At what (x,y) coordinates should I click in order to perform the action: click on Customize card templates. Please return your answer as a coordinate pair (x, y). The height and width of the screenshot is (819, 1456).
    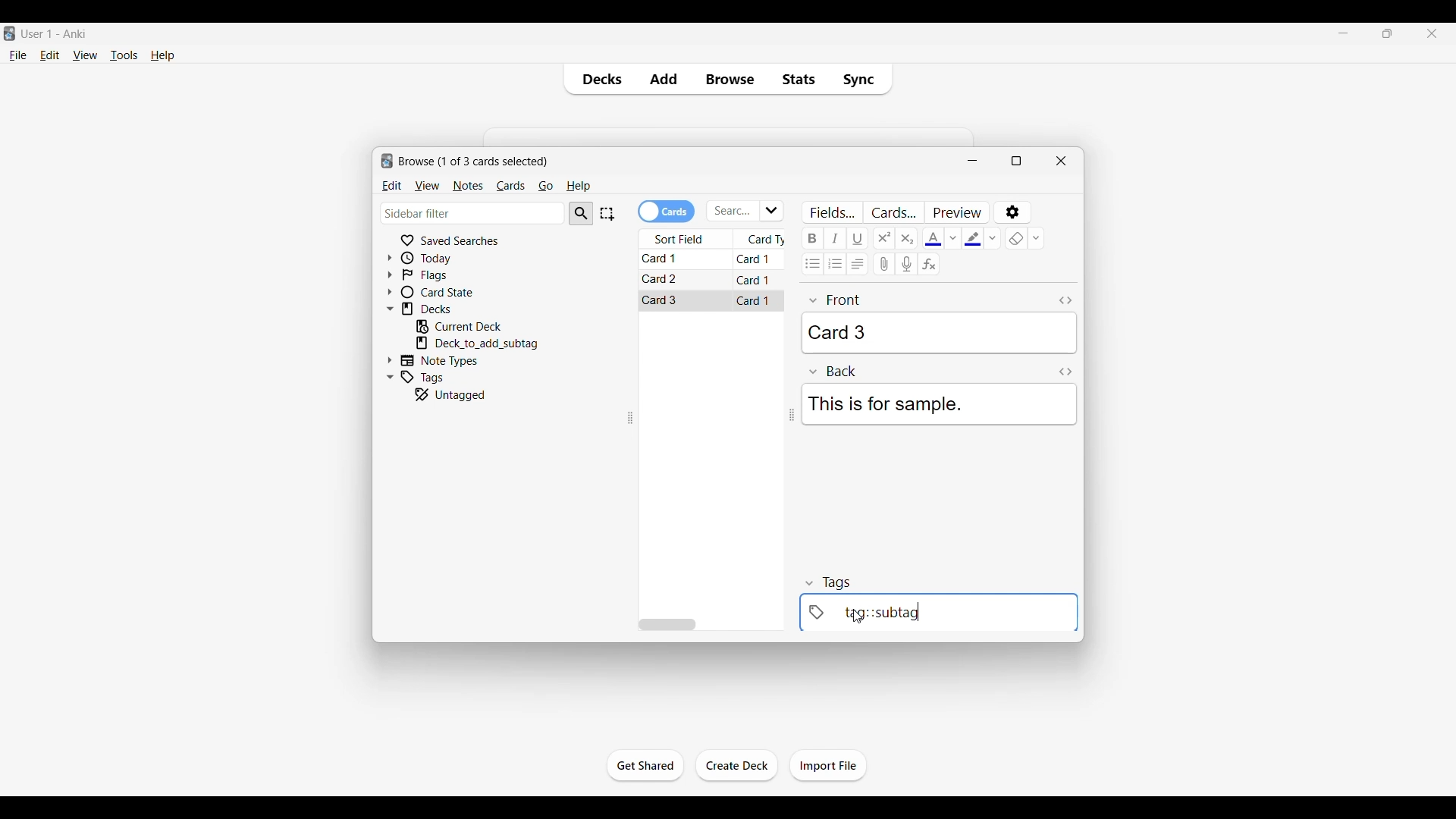
    Looking at the image, I should click on (893, 212).